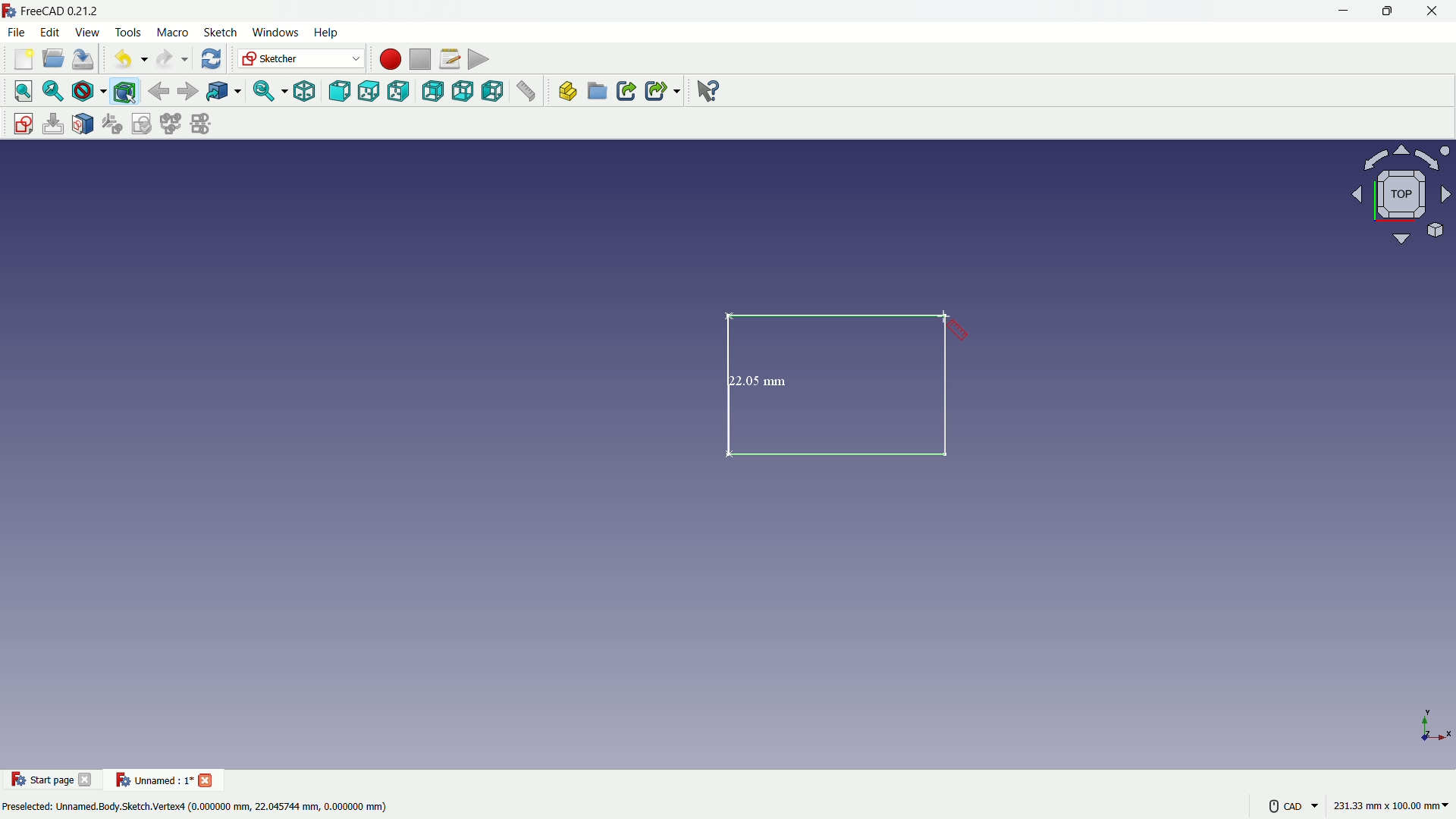 The width and height of the screenshot is (1456, 819). What do you see at coordinates (126, 60) in the screenshot?
I see `undo` at bounding box center [126, 60].